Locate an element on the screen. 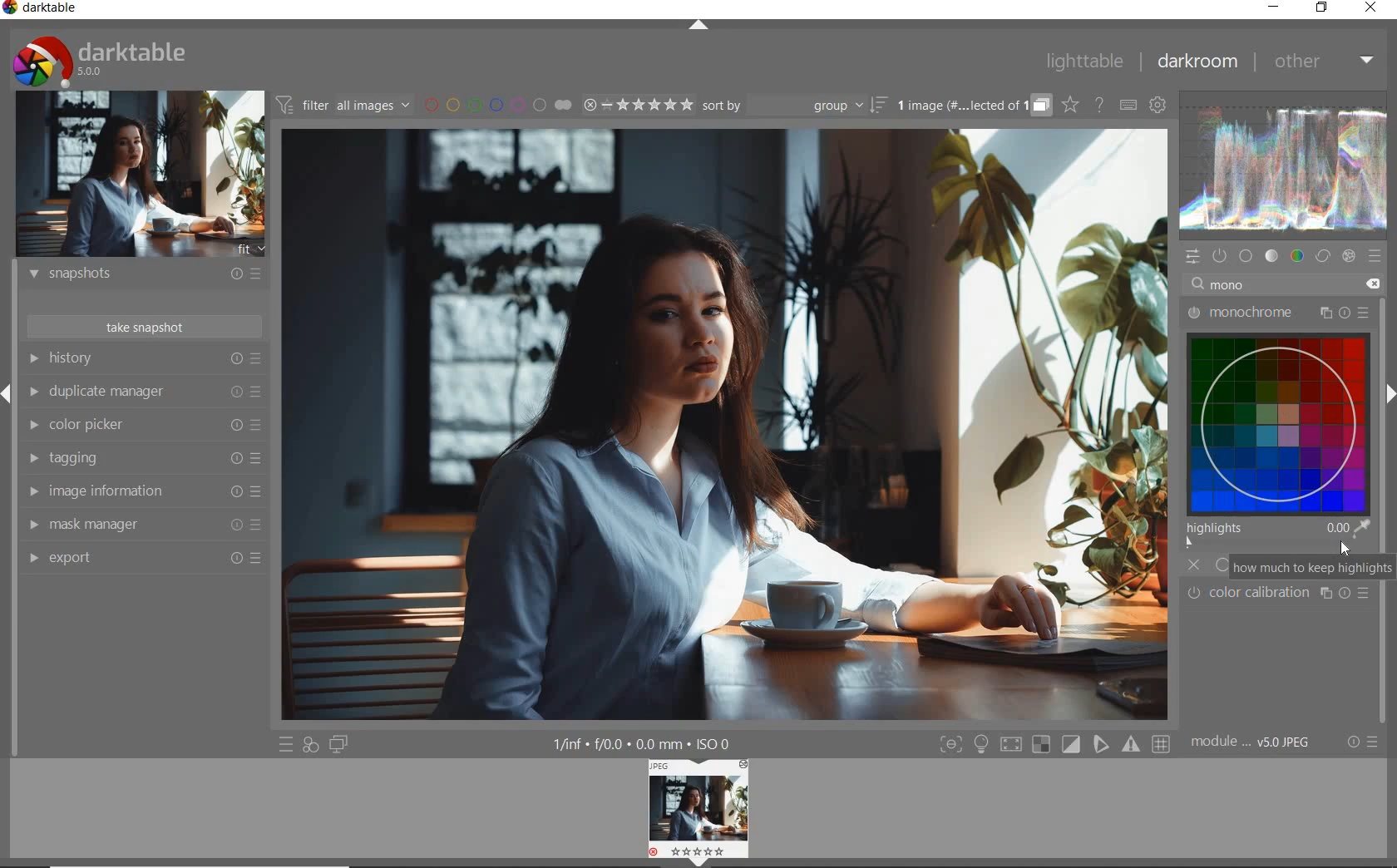 This screenshot has width=1397, height=868. quick access to presets is located at coordinates (286, 744).